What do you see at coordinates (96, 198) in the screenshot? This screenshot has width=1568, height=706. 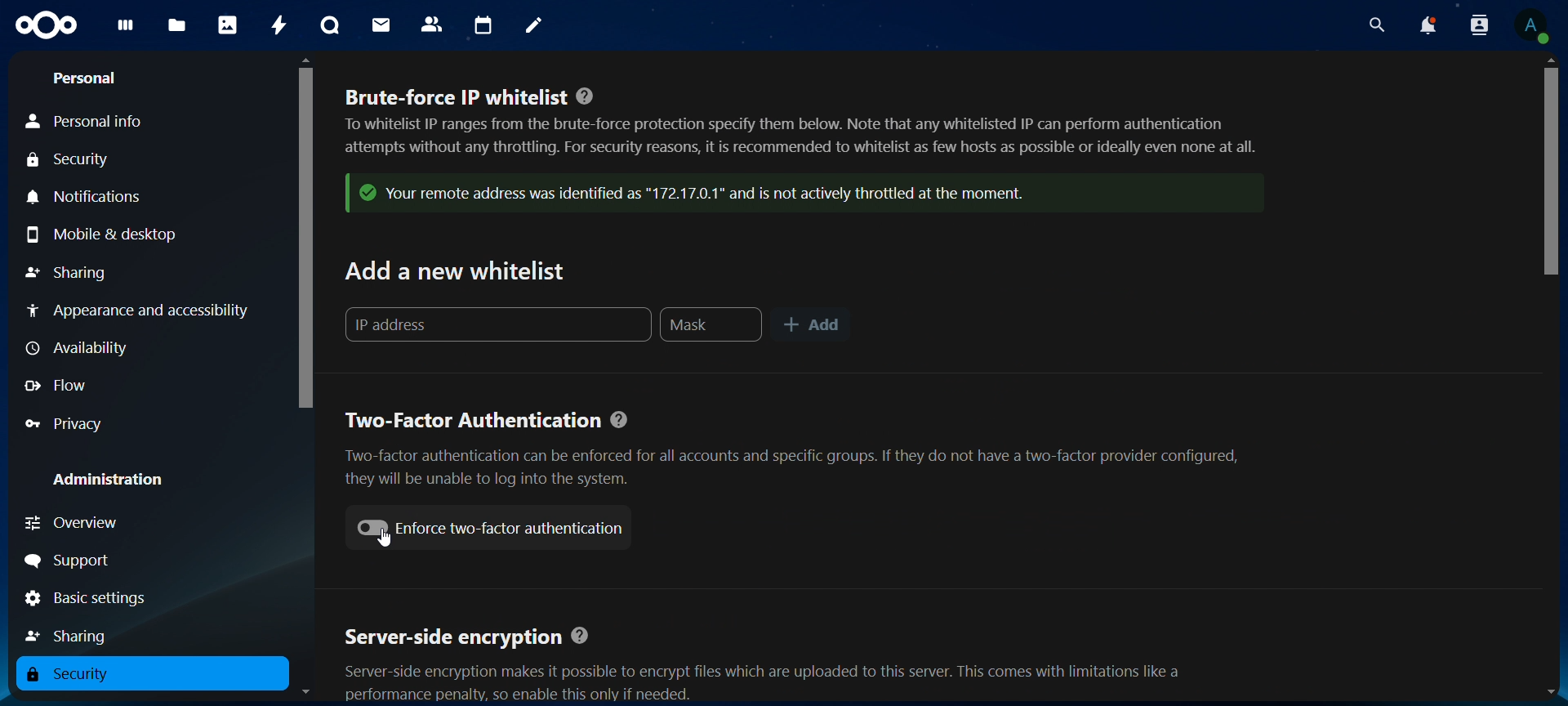 I see `notifications` at bounding box center [96, 198].